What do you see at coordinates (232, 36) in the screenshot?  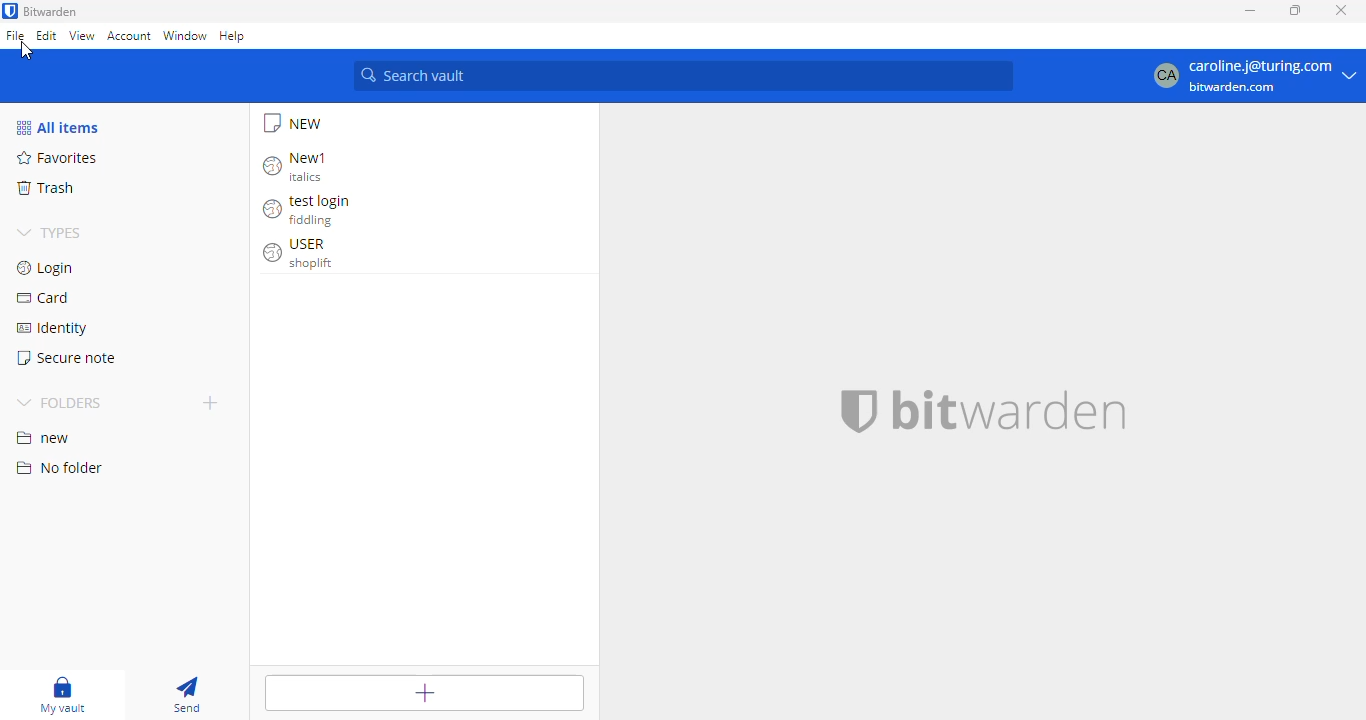 I see `help` at bounding box center [232, 36].